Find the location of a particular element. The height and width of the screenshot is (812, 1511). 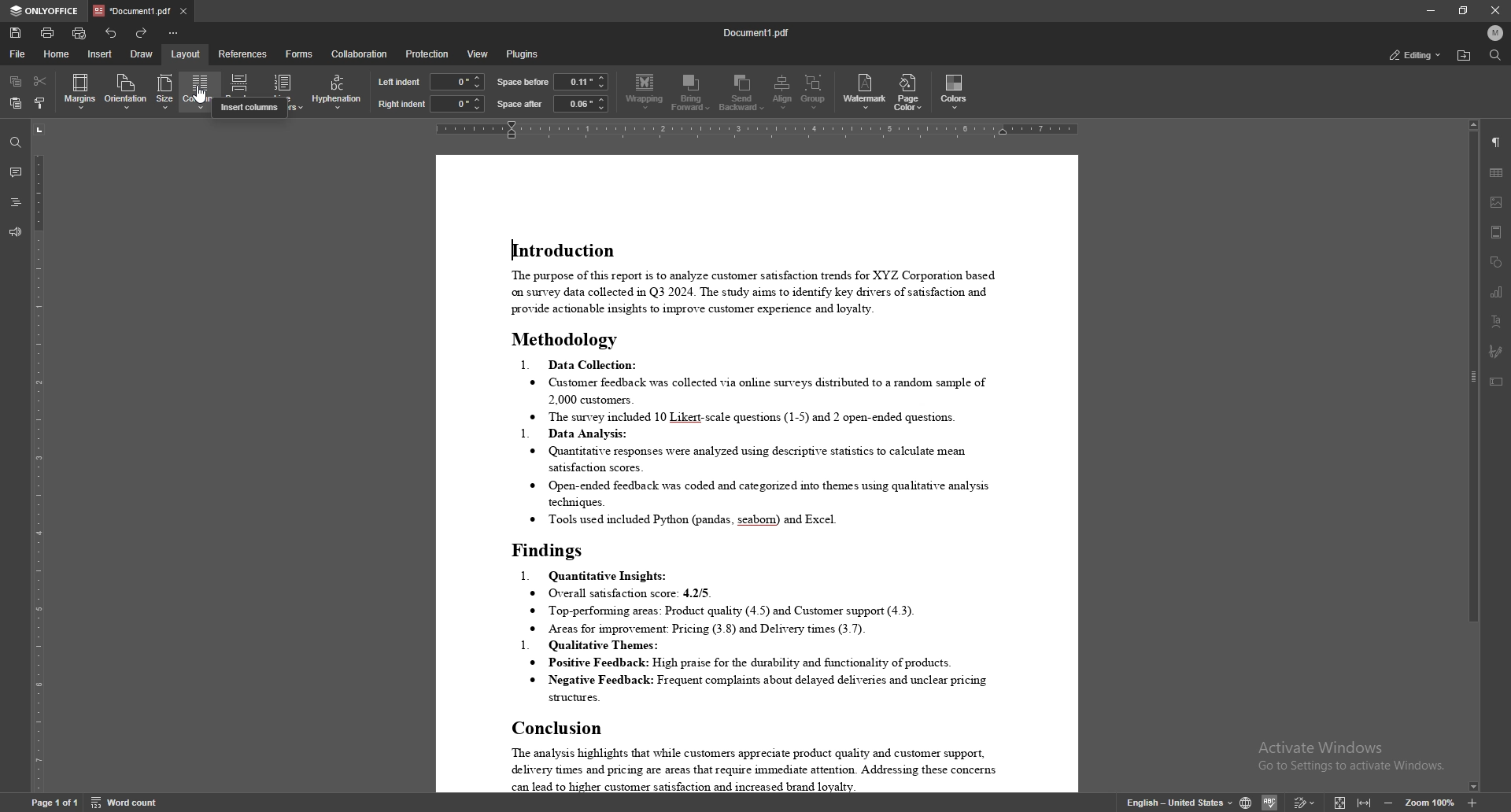

file name is located at coordinates (756, 31).